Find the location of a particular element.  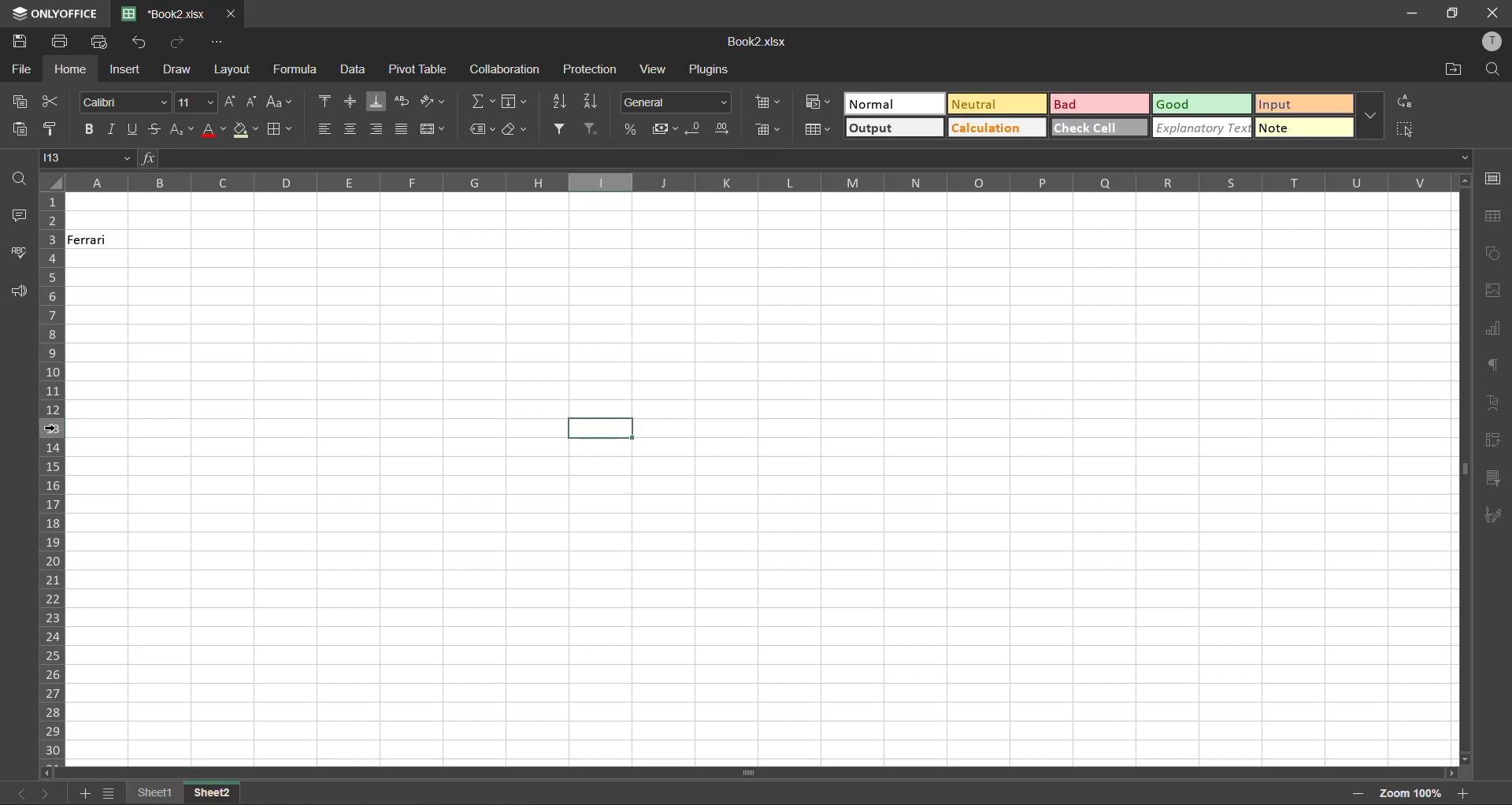

comments is located at coordinates (16, 217).